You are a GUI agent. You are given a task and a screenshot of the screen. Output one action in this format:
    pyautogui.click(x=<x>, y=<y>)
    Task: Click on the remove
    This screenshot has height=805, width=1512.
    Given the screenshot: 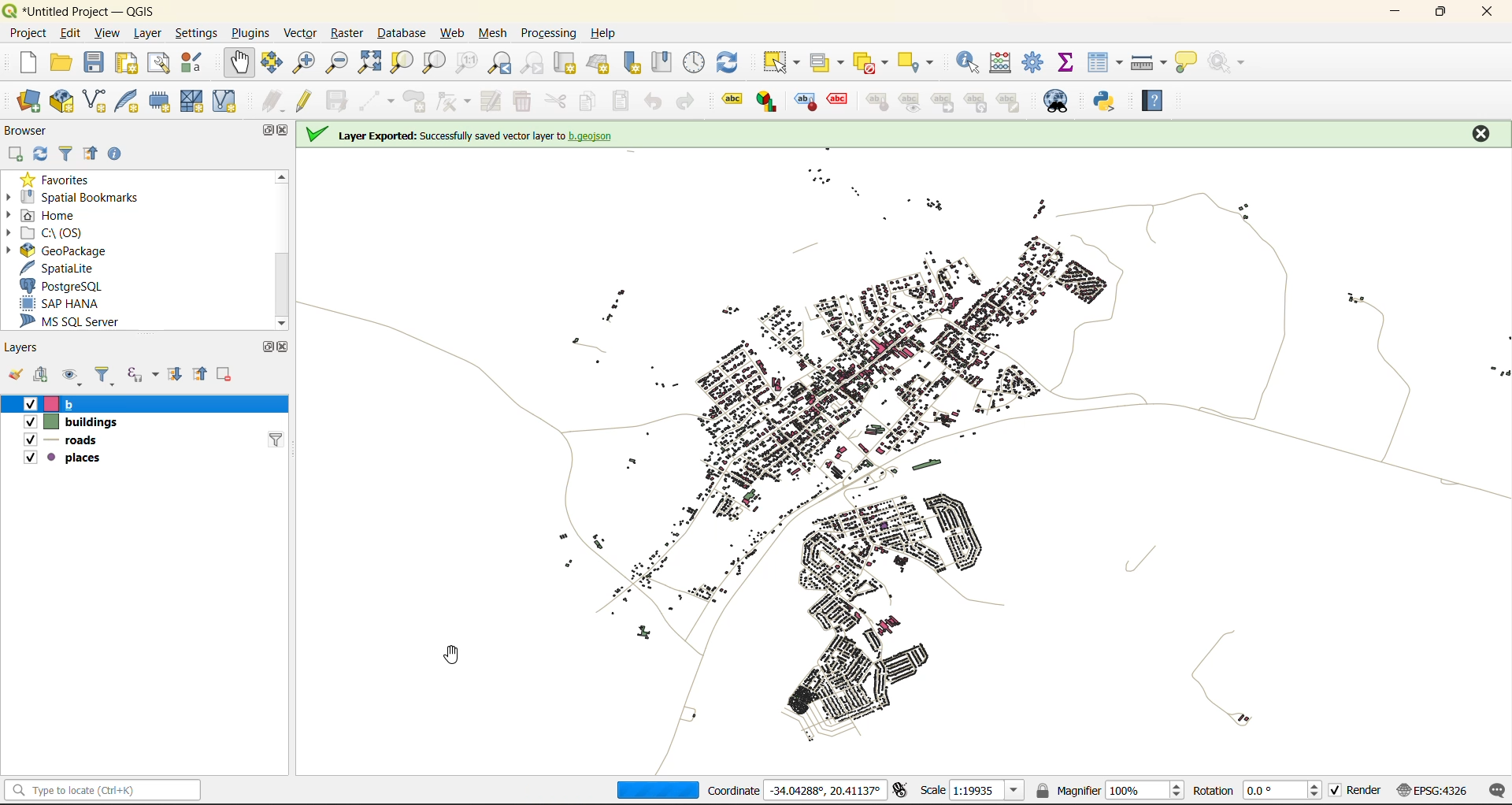 What is the action you would take?
    pyautogui.click(x=228, y=375)
    